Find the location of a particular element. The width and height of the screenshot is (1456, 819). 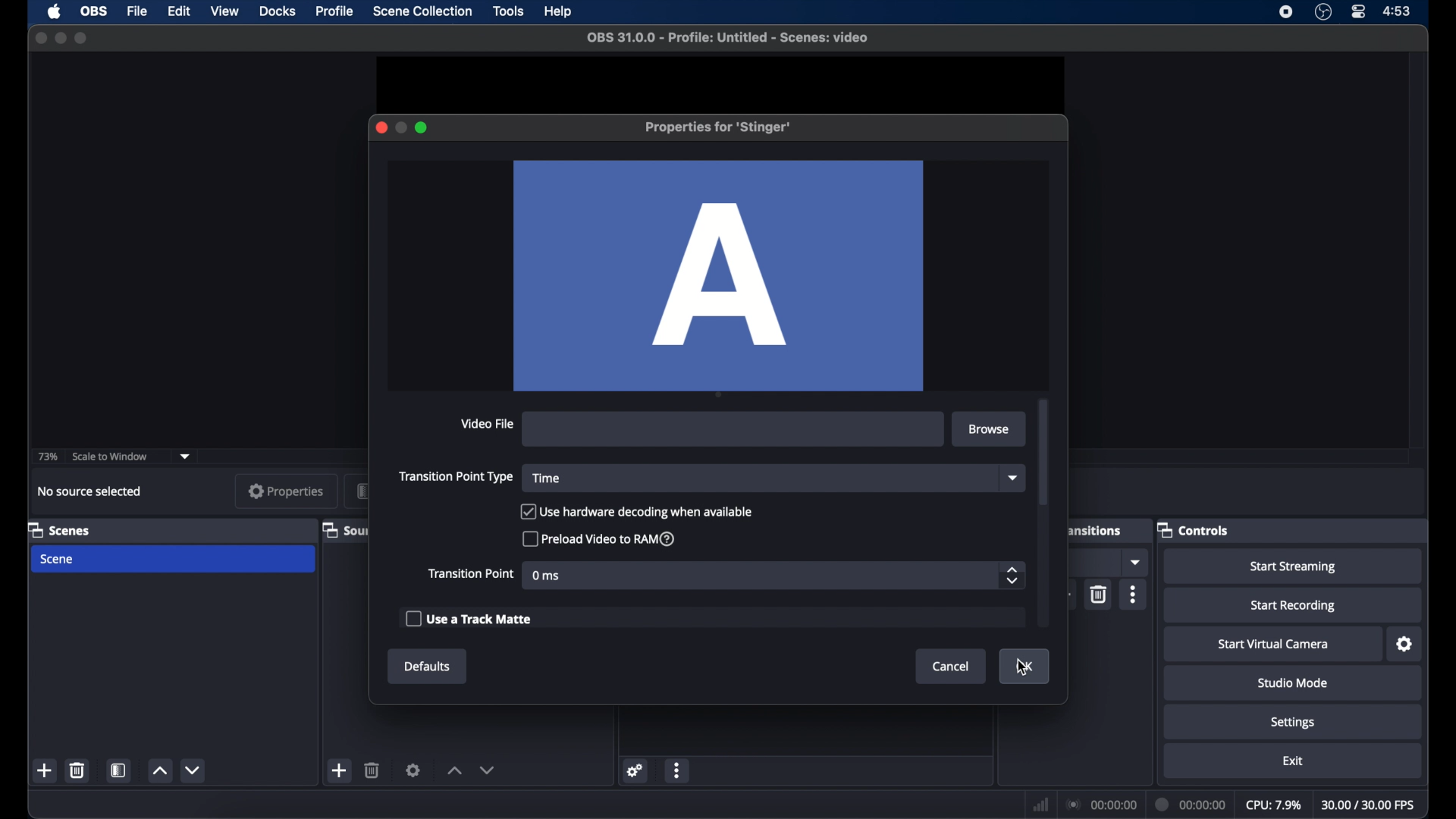

scene filters is located at coordinates (120, 770).